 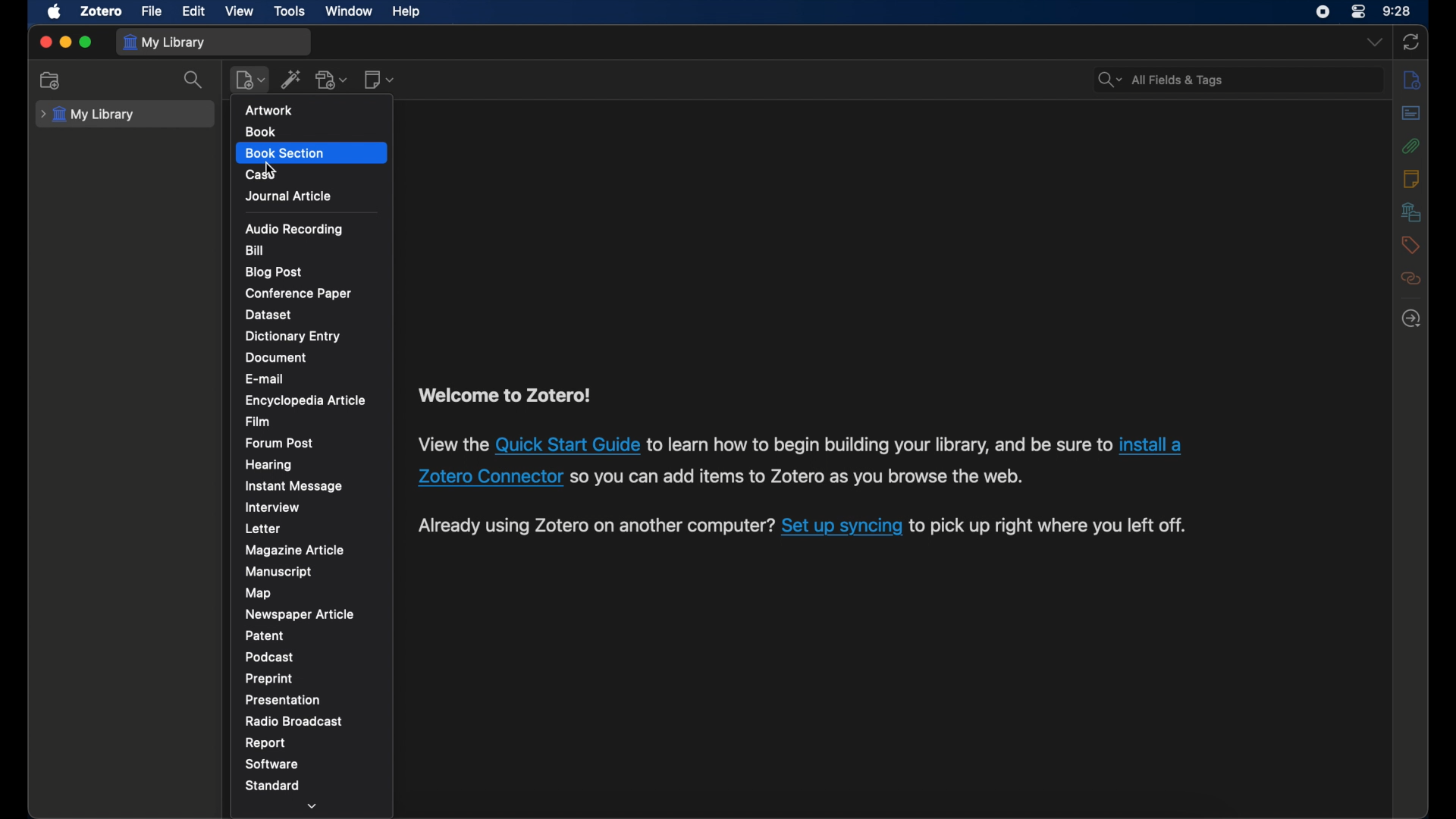 What do you see at coordinates (290, 11) in the screenshot?
I see `tools` at bounding box center [290, 11].